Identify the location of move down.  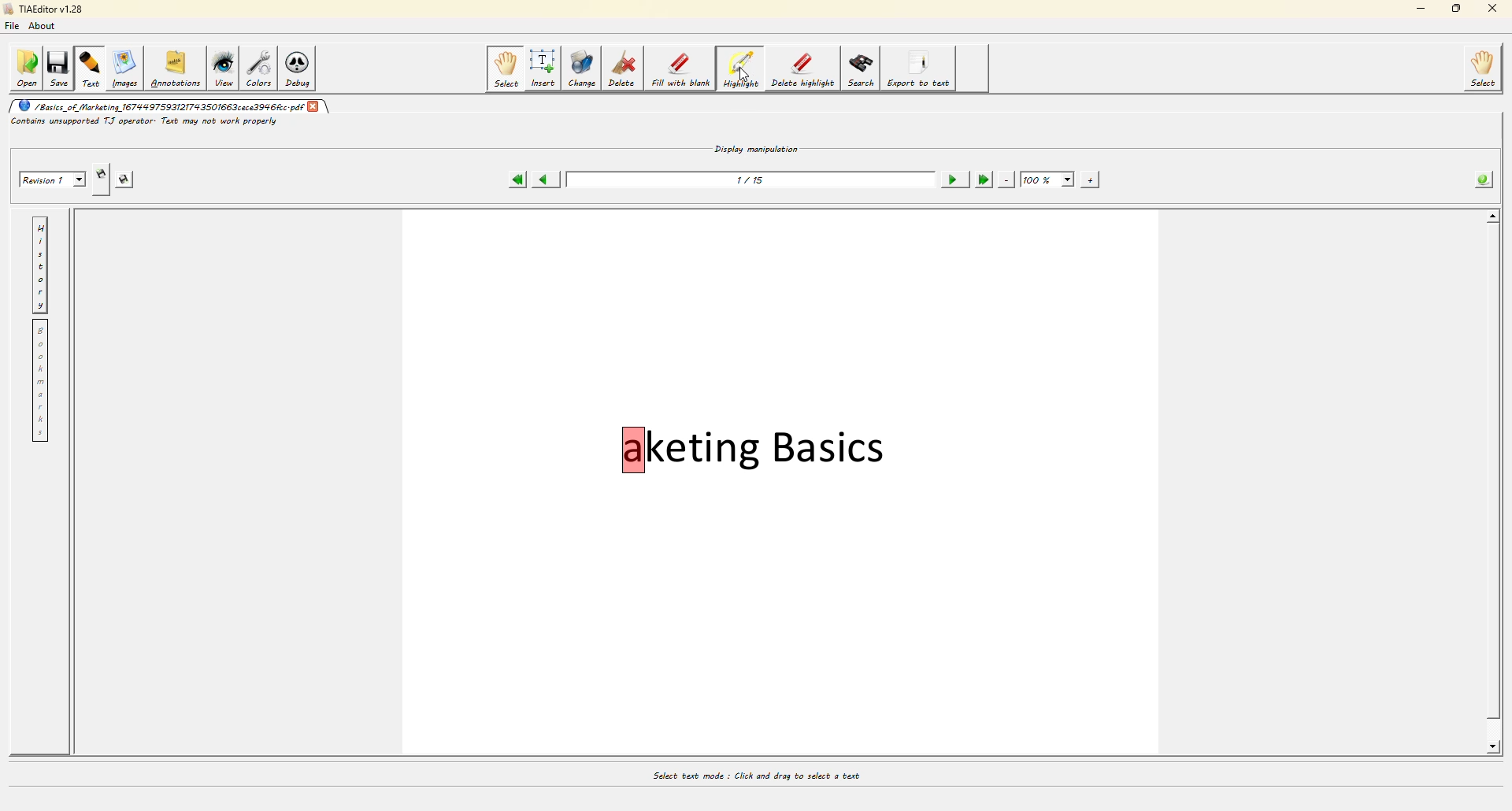
(1489, 751).